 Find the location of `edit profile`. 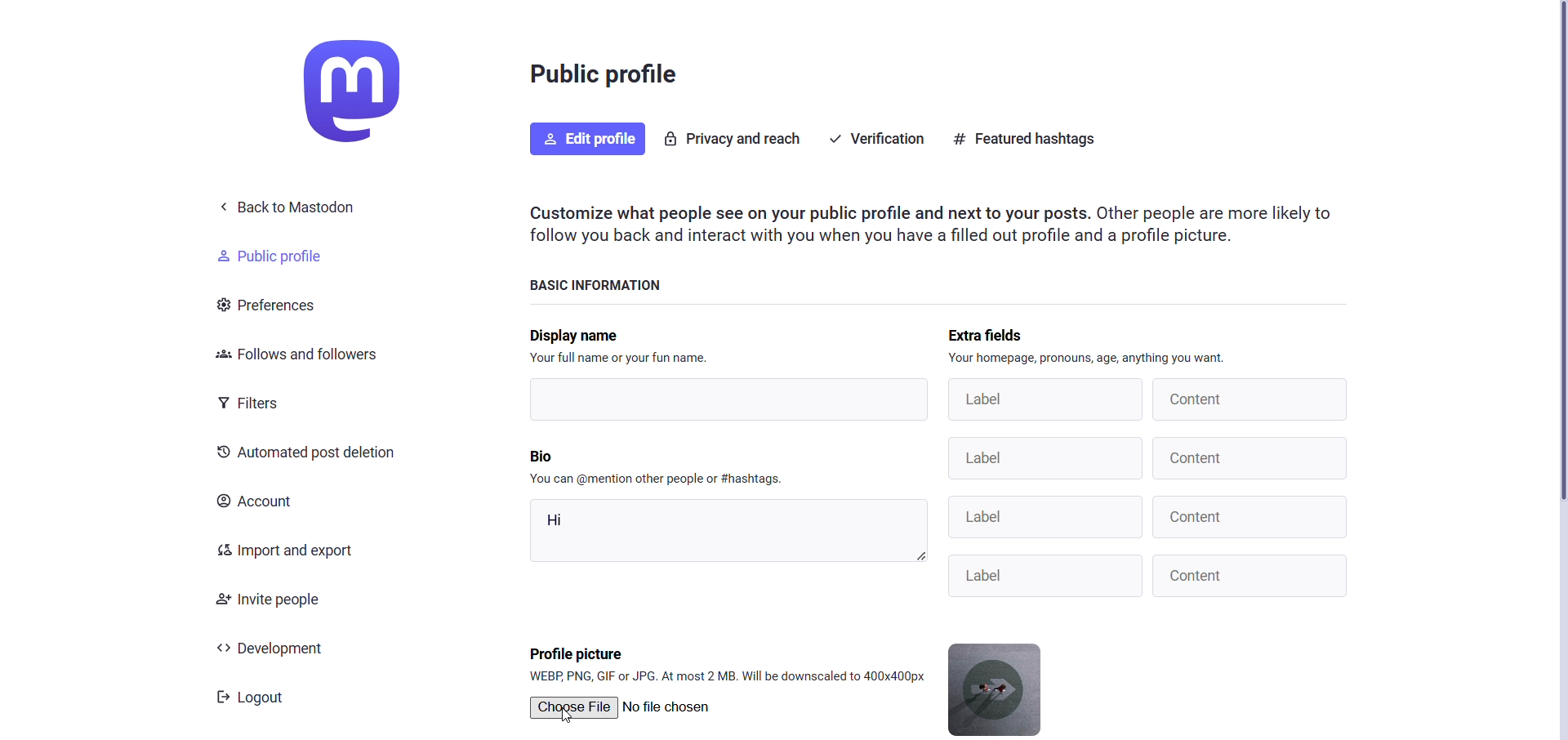

edit profile is located at coordinates (581, 139).